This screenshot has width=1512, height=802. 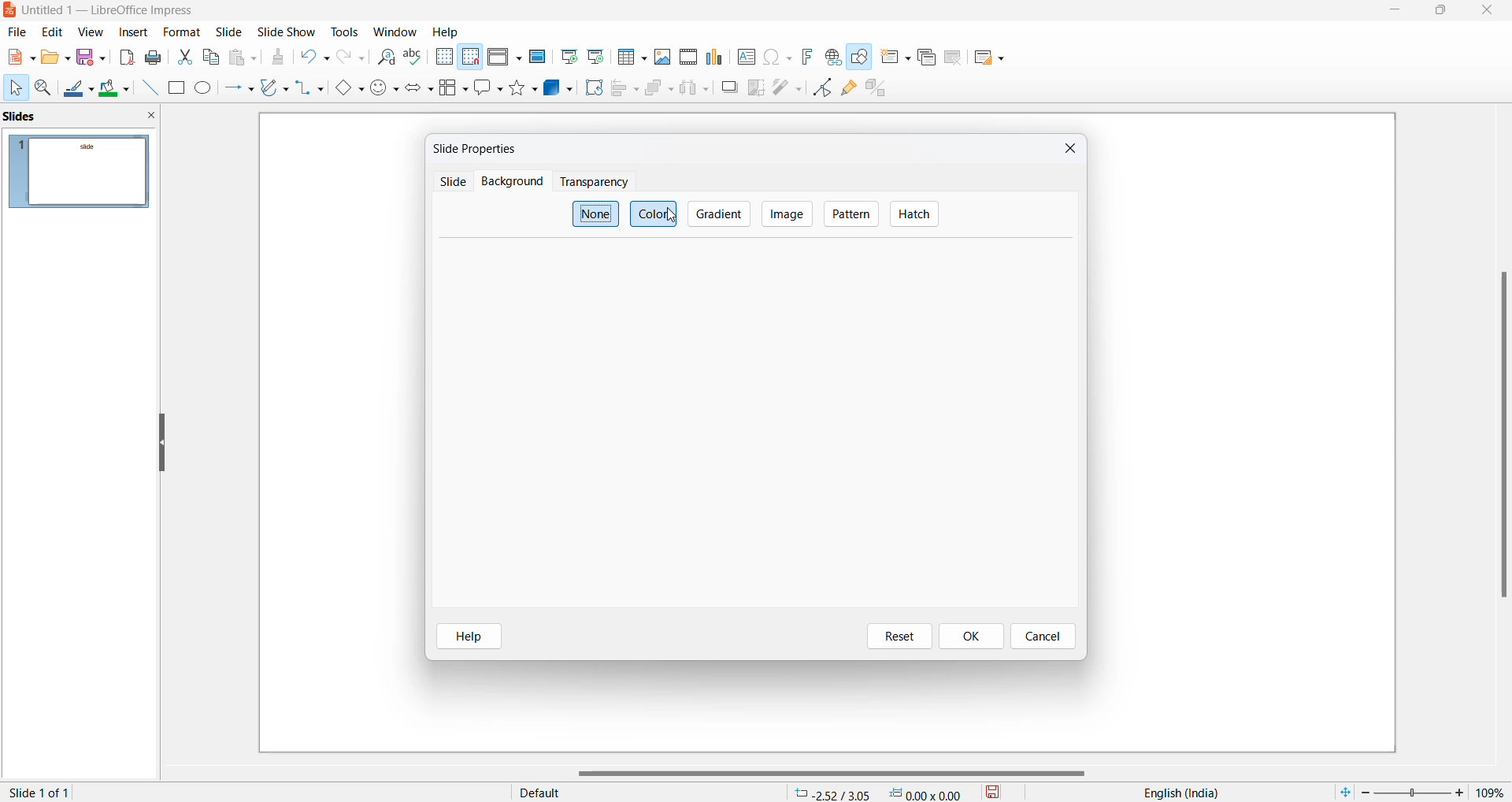 I want to click on tools, so click(x=346, y=31).